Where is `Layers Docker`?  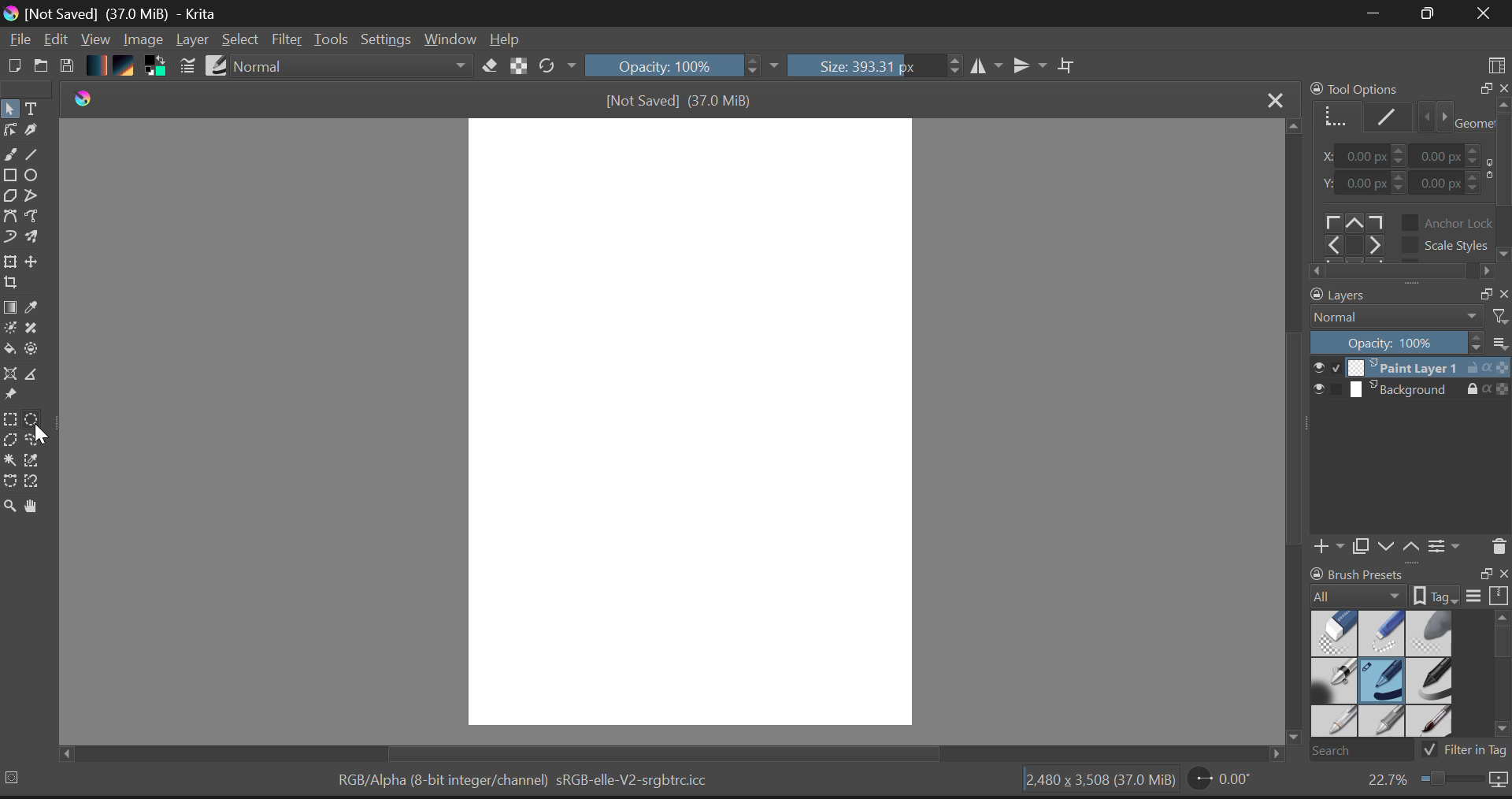 Layers Docker is located at coordinates (1403, 423).